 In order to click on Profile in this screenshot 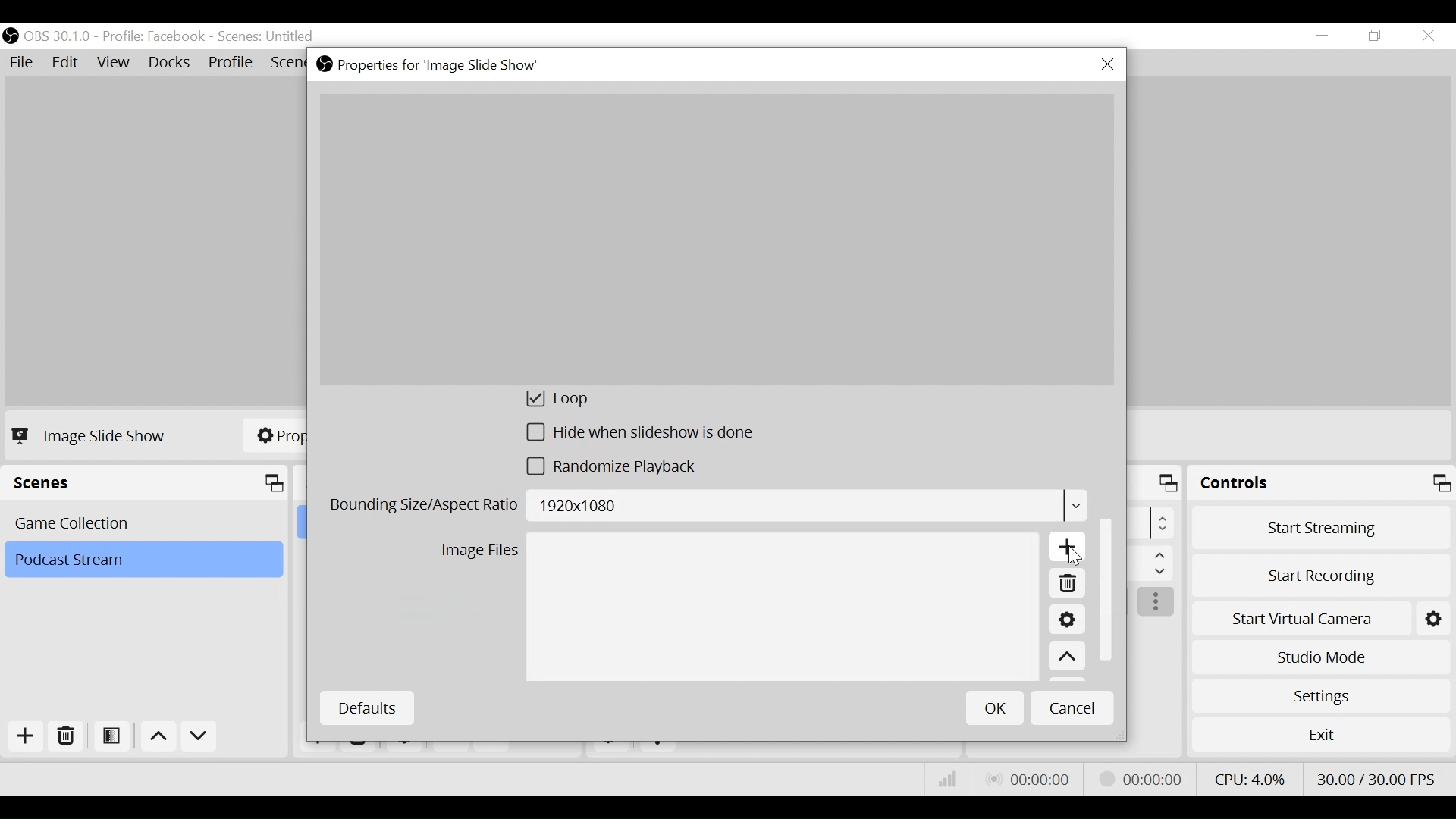, I will do `click(154, 36)`.